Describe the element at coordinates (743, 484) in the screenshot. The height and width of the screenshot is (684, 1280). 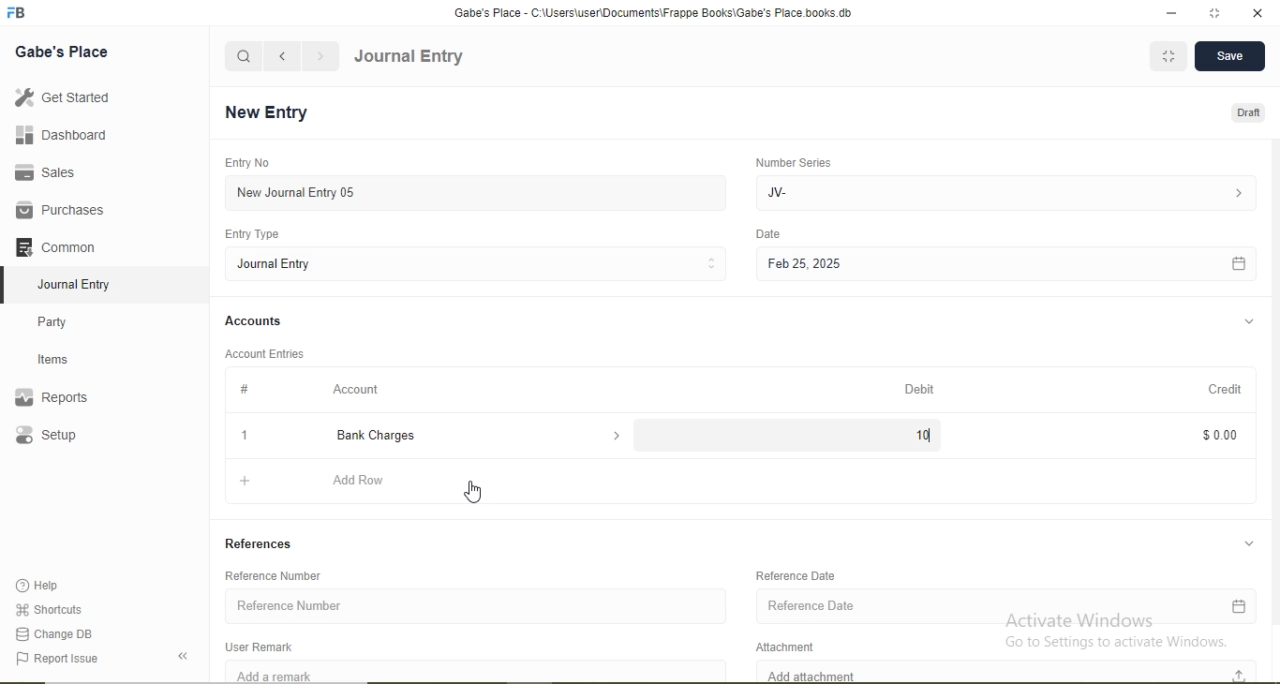
I see `+ Add Row` at that location.